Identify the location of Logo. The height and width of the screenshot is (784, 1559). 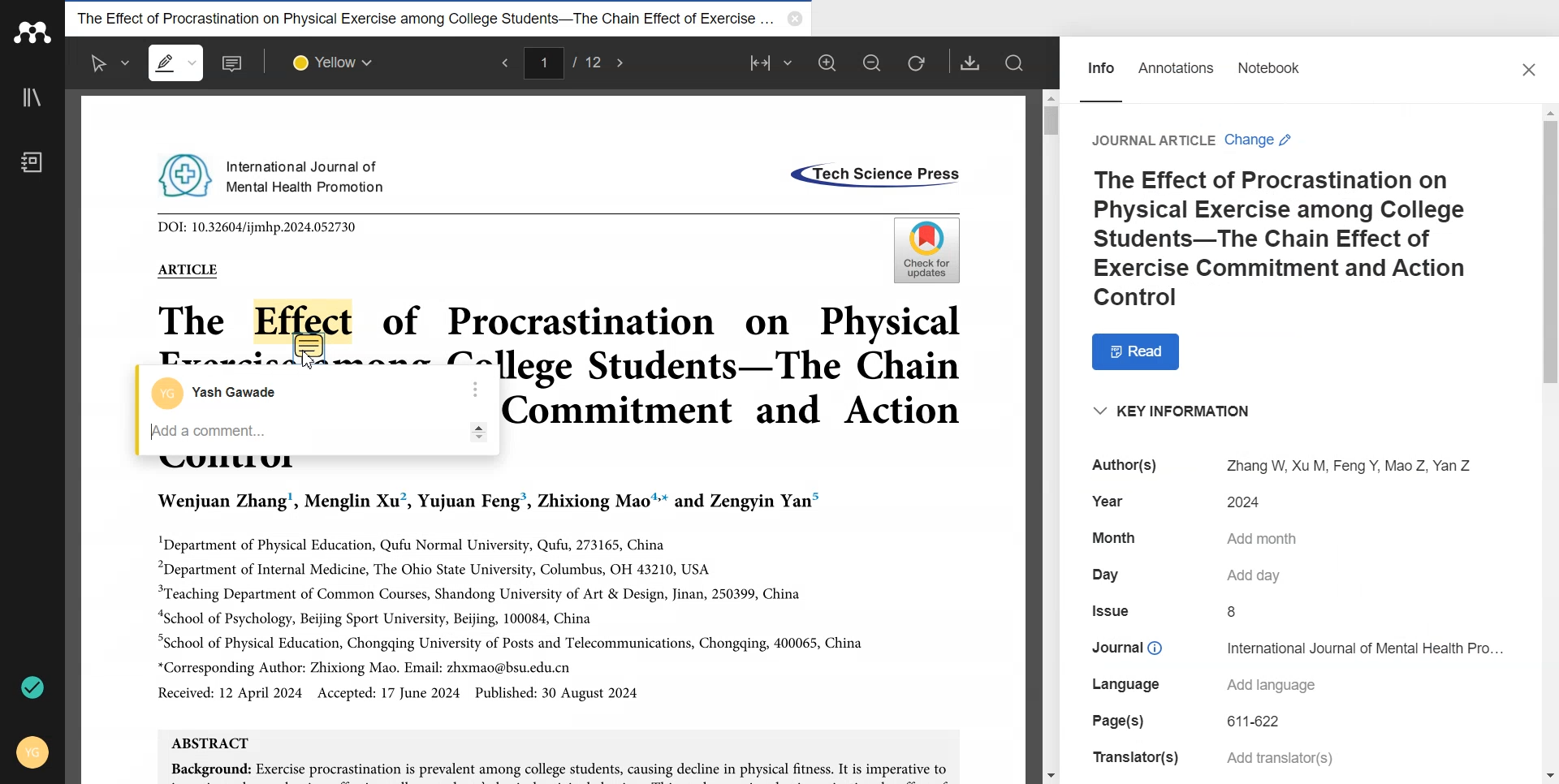
(32, 32).